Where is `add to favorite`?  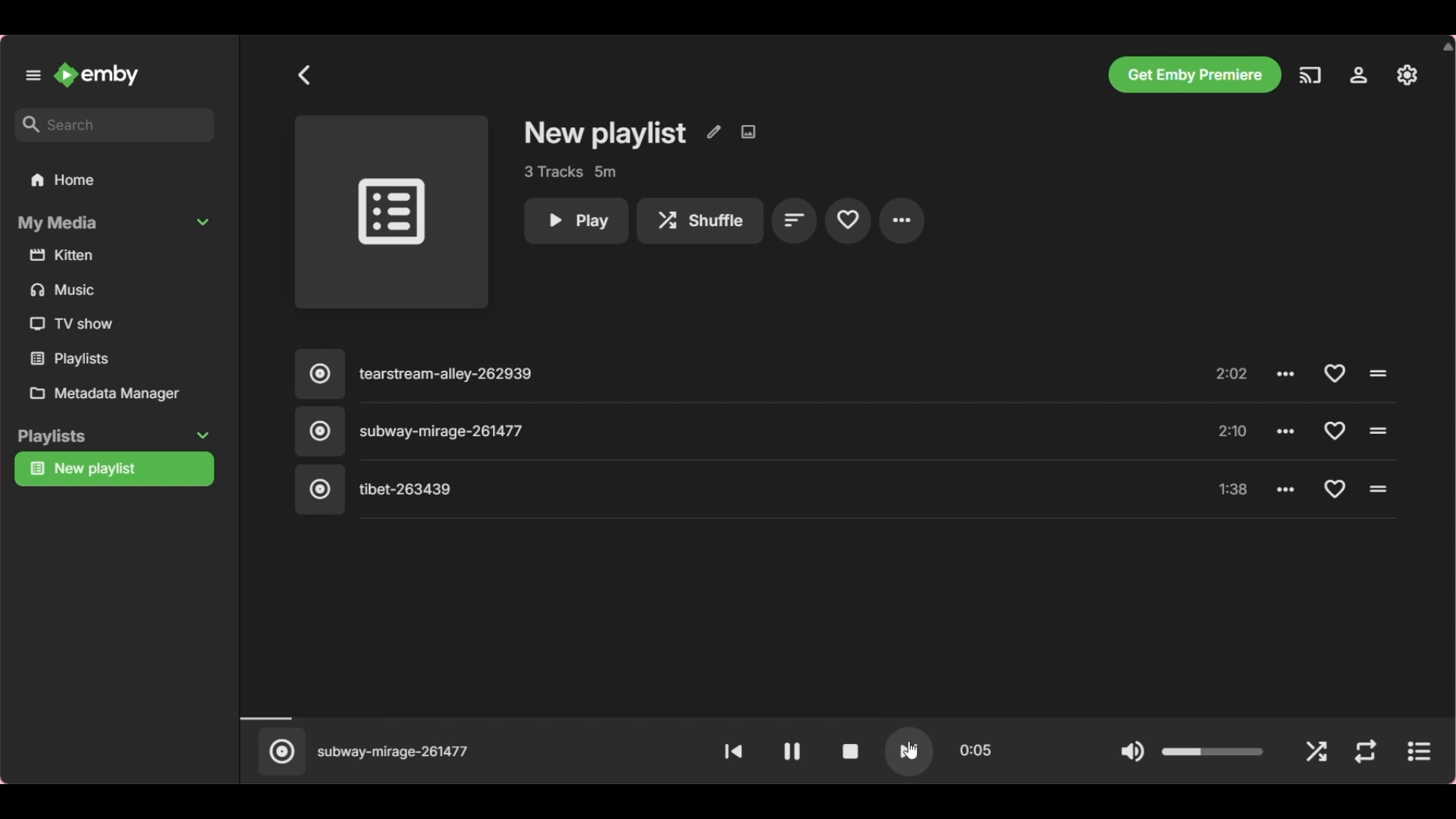
add to favorite is located at coordinates (1332, 373).